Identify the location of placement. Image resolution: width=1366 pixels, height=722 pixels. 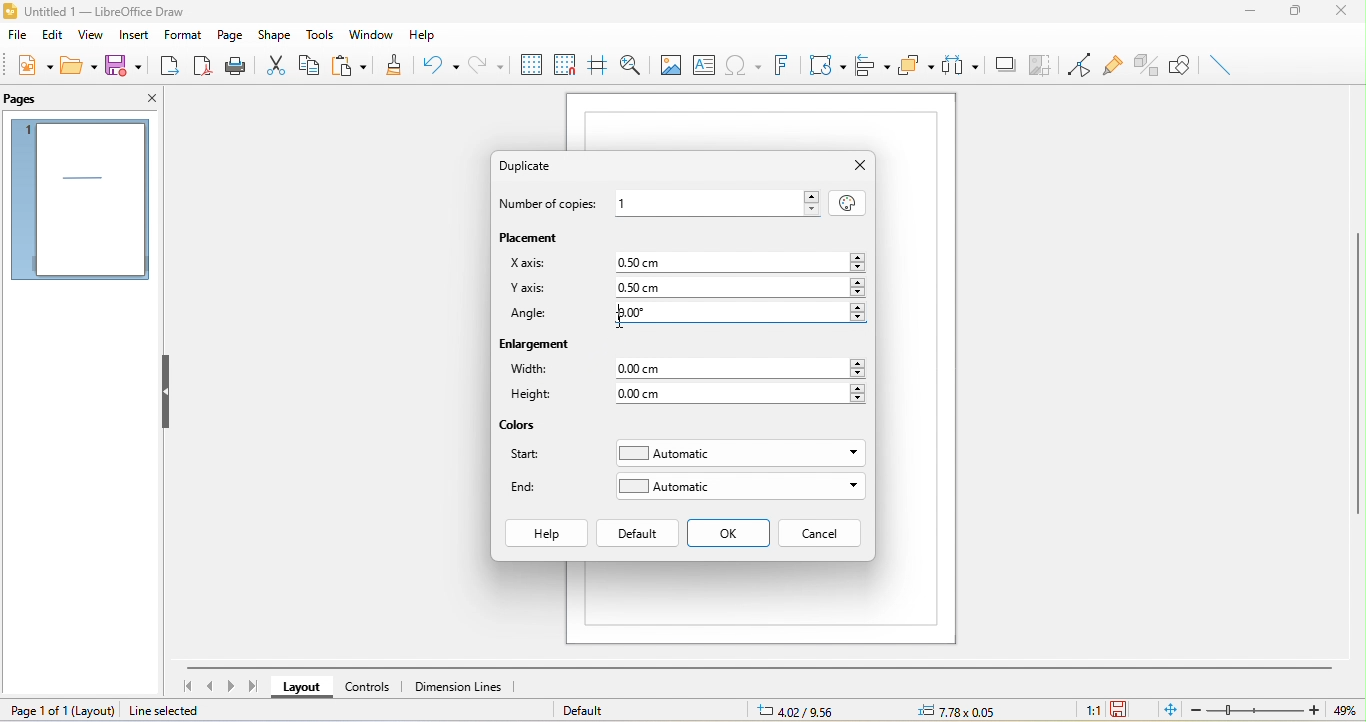
(536, 237).